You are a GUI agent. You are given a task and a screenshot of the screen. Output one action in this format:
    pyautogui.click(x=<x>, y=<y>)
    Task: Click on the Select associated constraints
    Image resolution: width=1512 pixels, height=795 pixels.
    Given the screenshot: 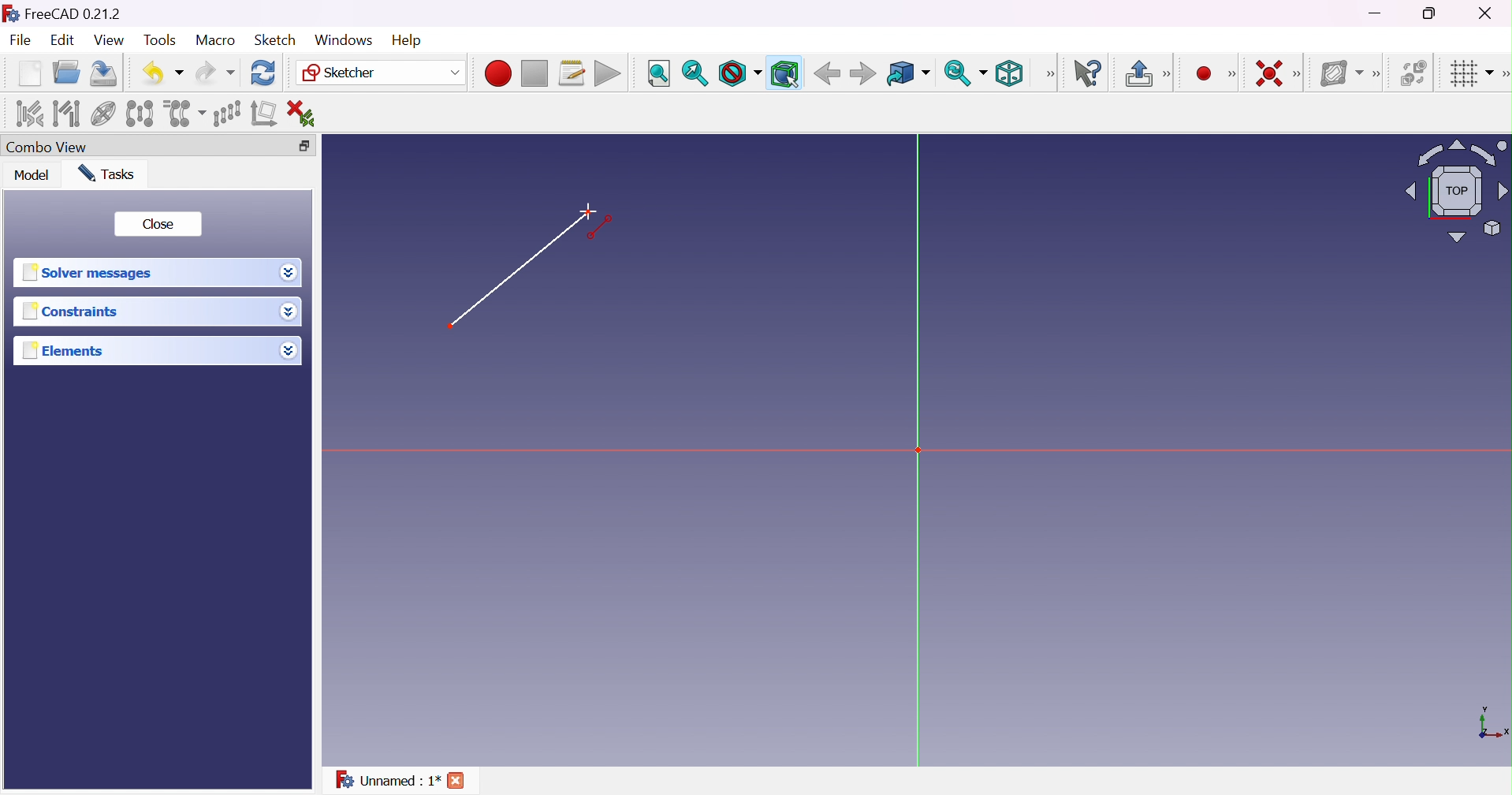 What is the action you would take?
    pyautogui.click(x=28, y=114)
    